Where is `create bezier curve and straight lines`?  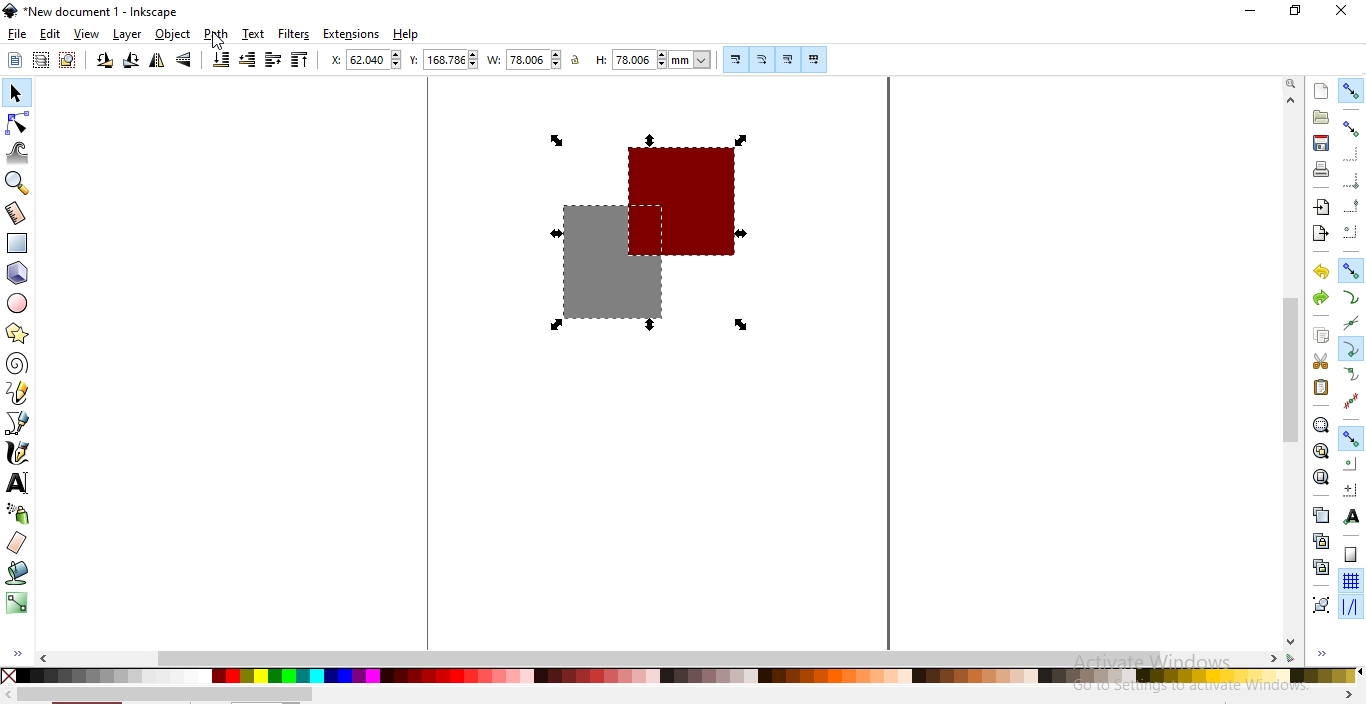
create bezier curve and straight lines is located at coordinates (18, 422).